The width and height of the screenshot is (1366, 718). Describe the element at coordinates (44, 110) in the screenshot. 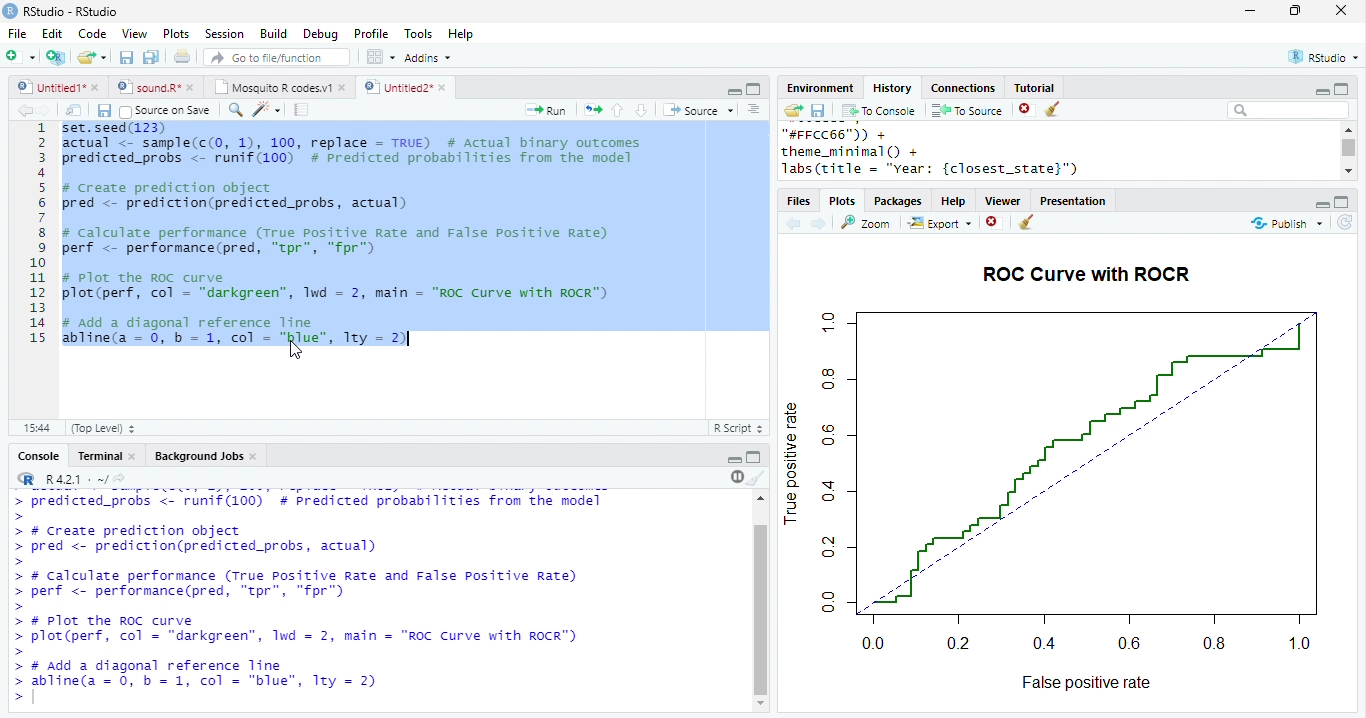

I see `forward` at that location.